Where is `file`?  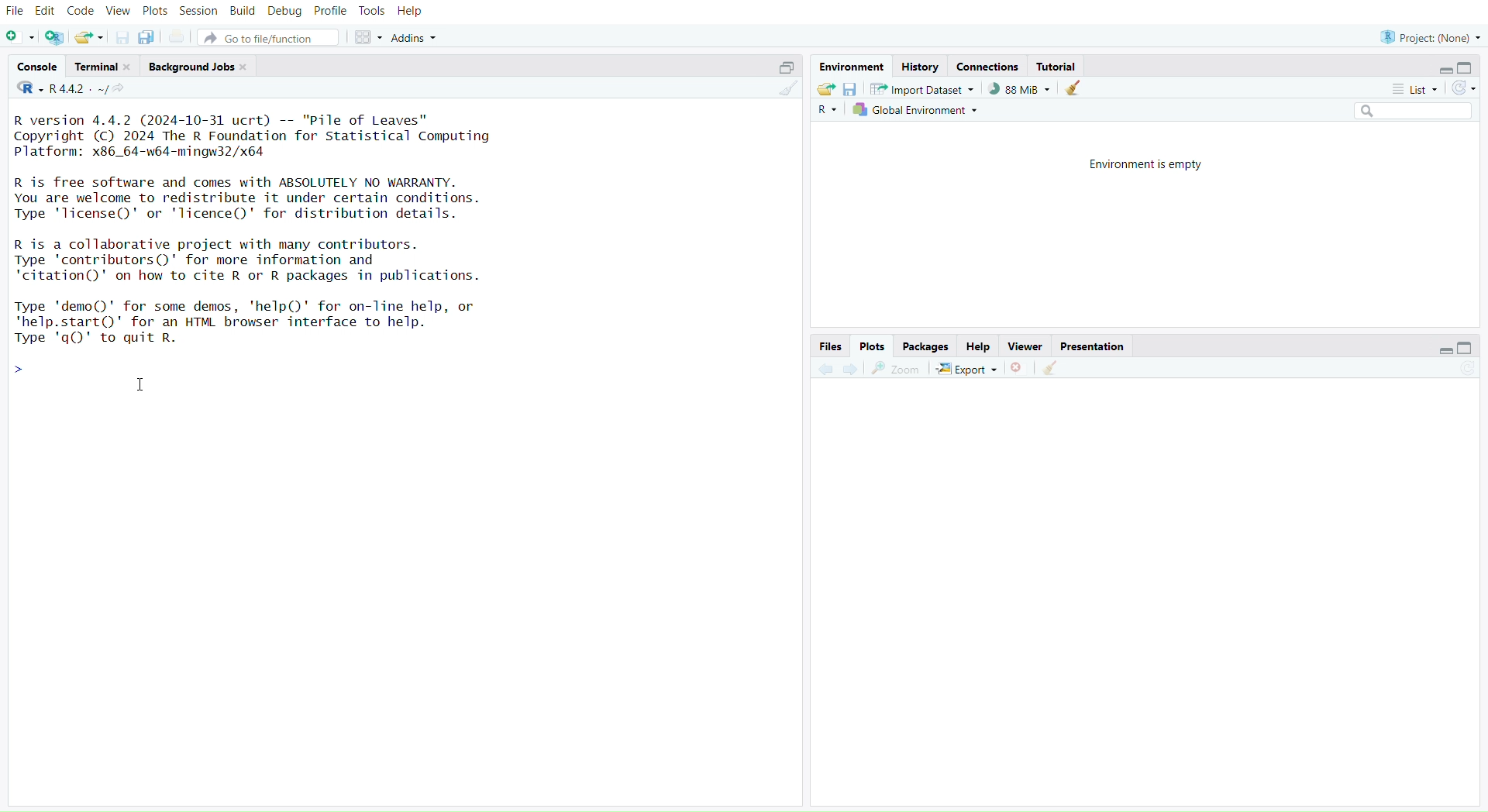 file is located at coordinates (15, 12).